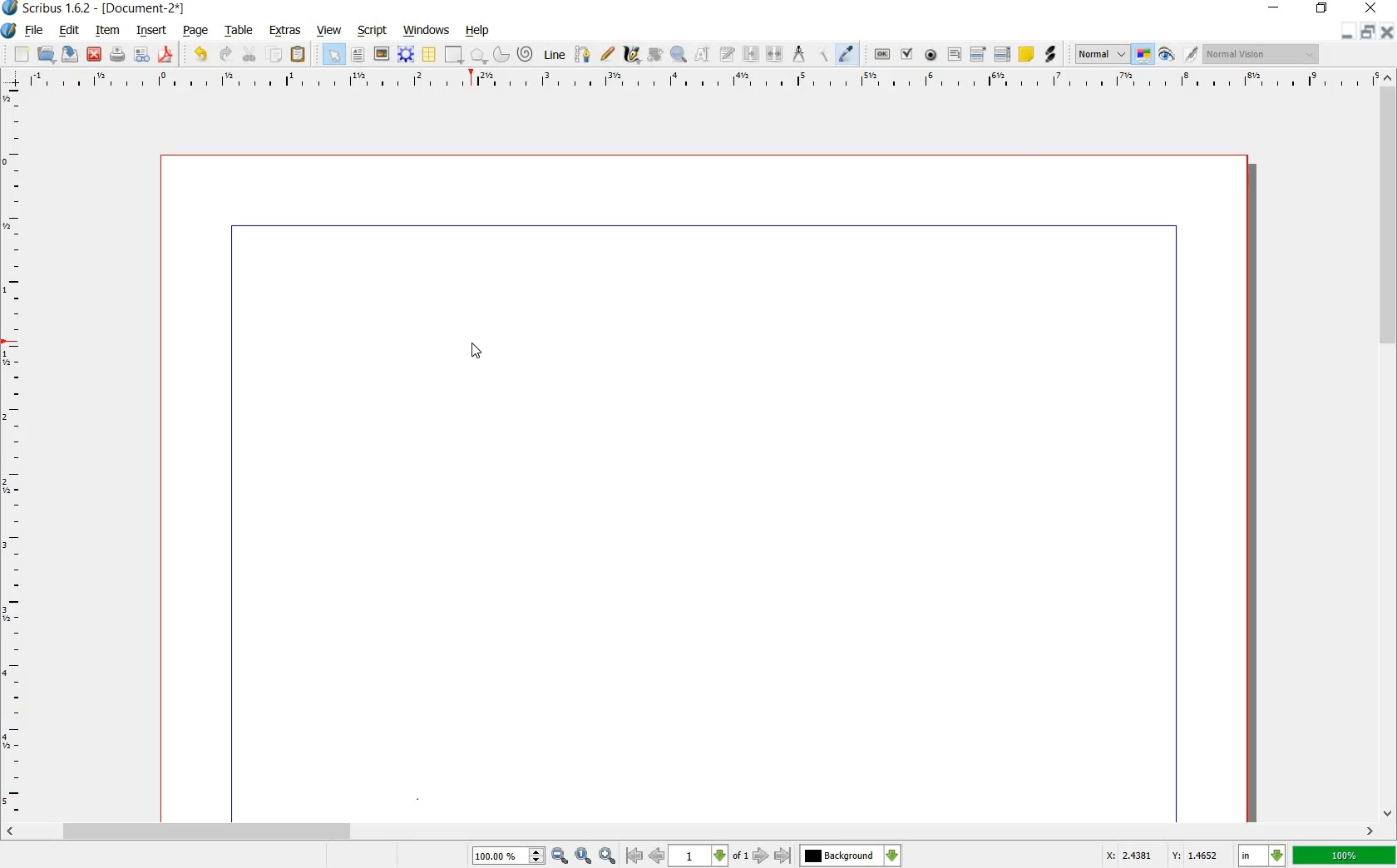 The image size is (1397, 868). I want to click on LINE, so click(555, 52).